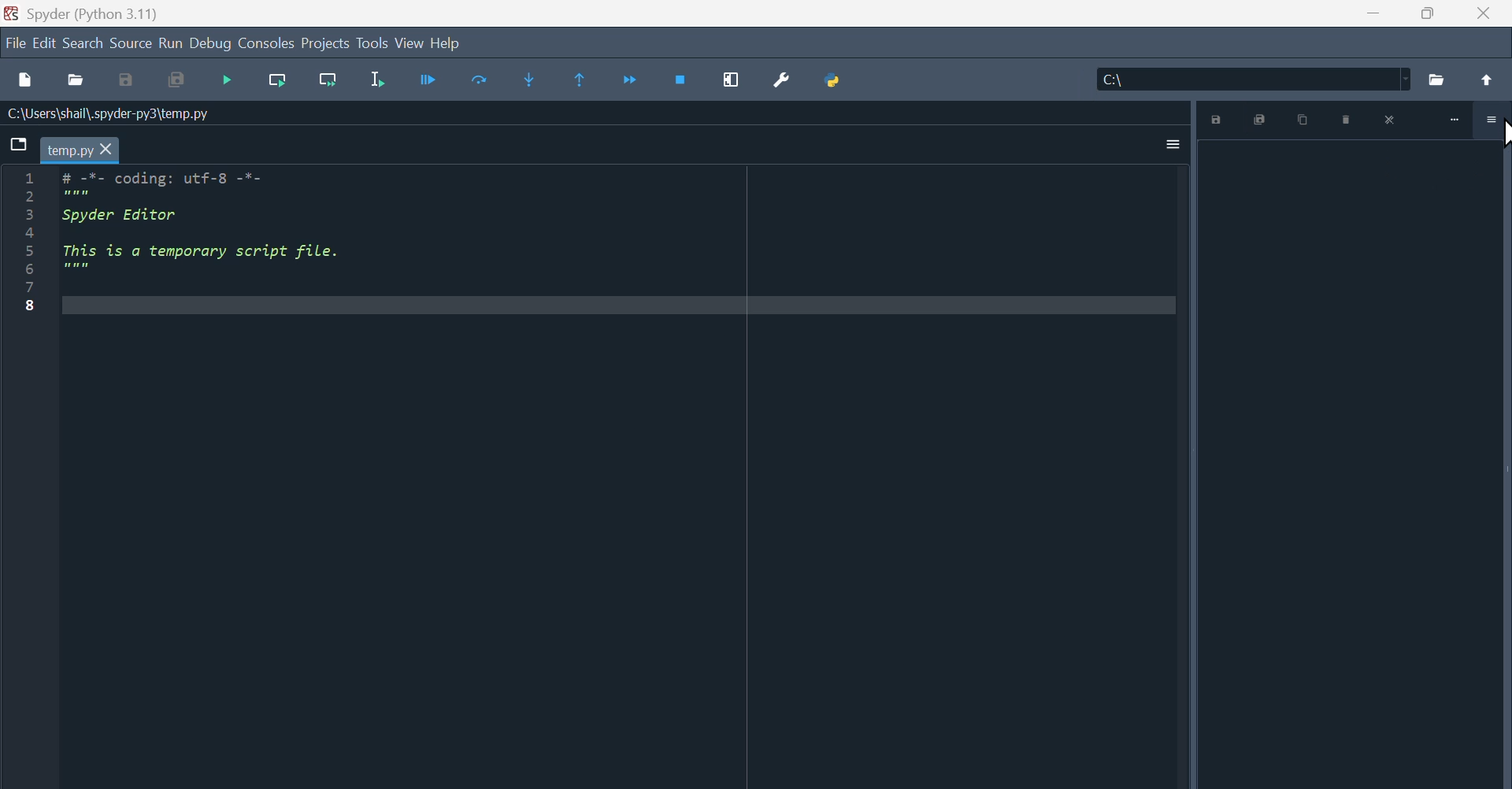 This screenshot has height=789, width=1512. What do you see at coordinates (1435, 80) in the screenshot?
I see `Folder` at bounding box center [1435, 80].